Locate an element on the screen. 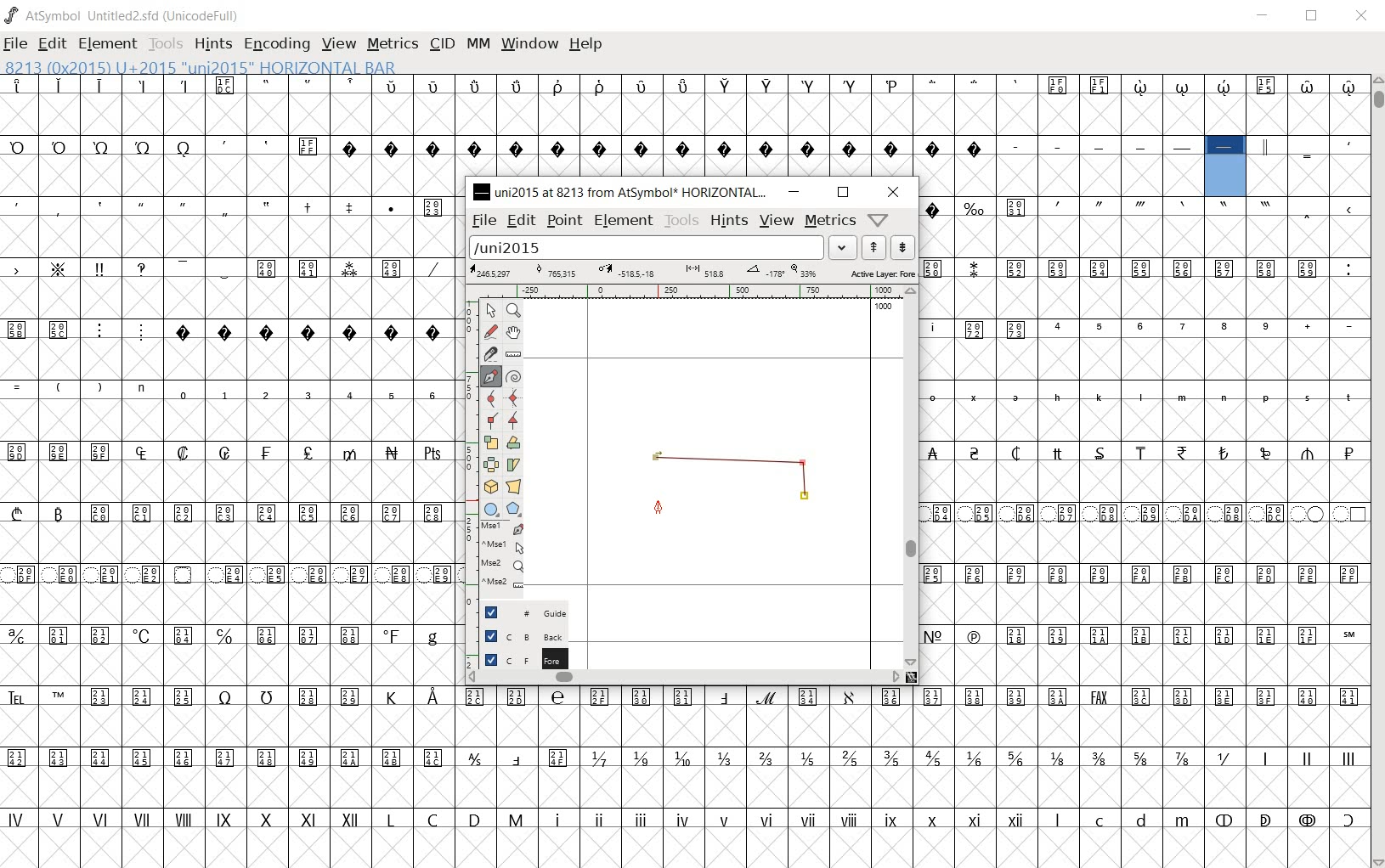 The width and height of the screenshot is (1385, 868). AtSymbol  Untitled2.sfd (UnicodeFull) is located at coordinates (123, 15).